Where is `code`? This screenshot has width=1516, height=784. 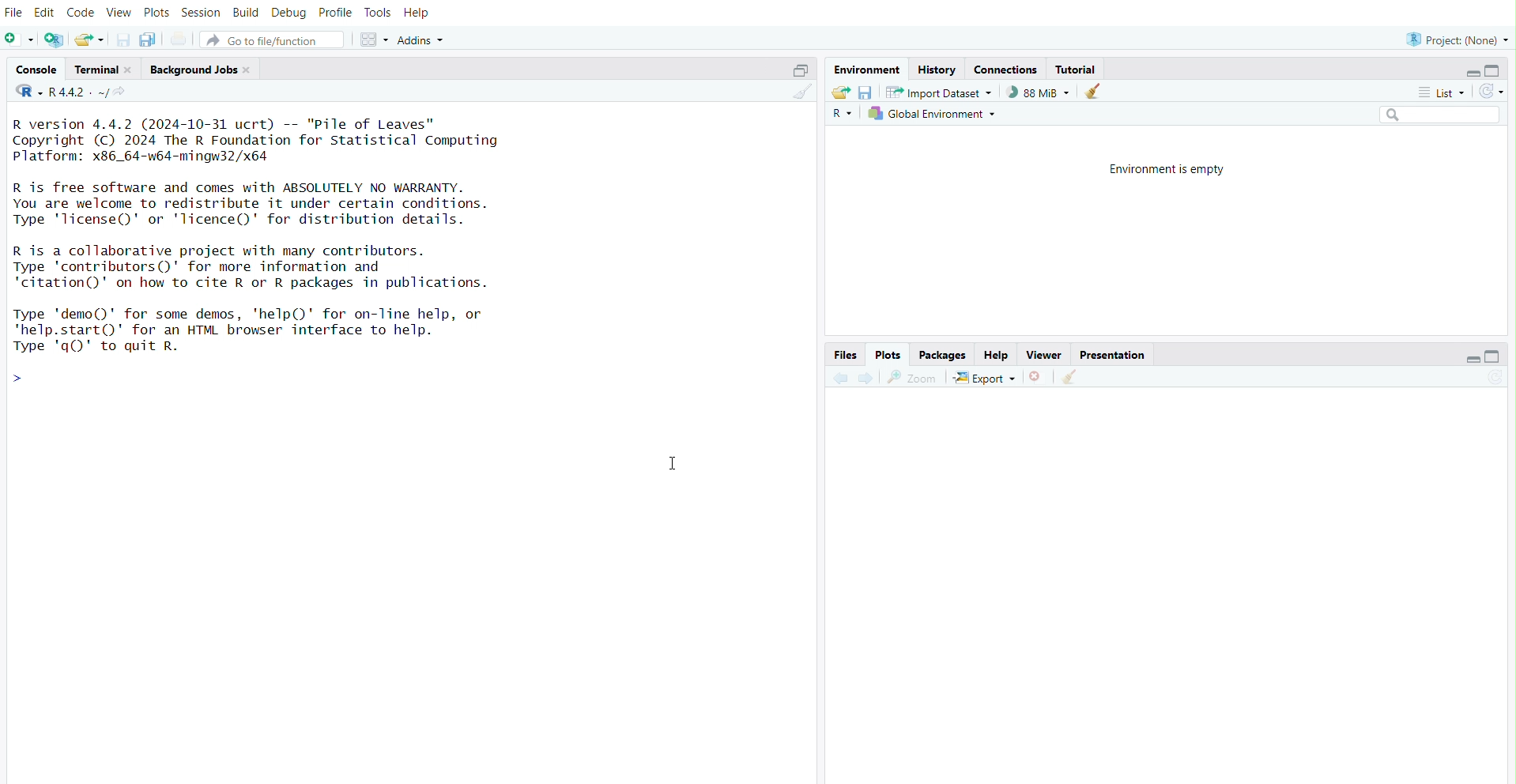 code is located at coordinates (82, 10).